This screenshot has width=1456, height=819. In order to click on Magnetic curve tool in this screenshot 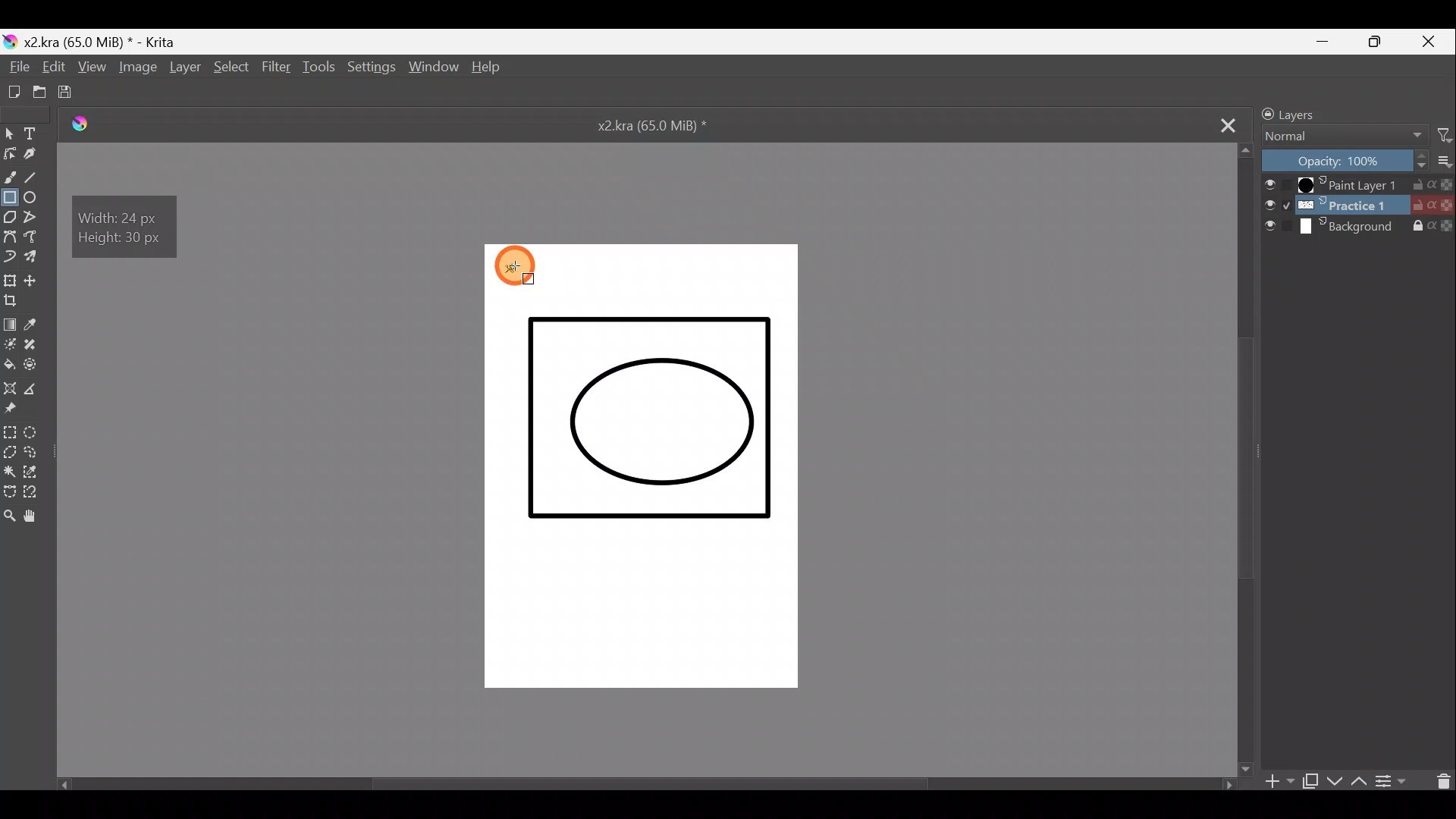, I will do `click(39, 238)`.